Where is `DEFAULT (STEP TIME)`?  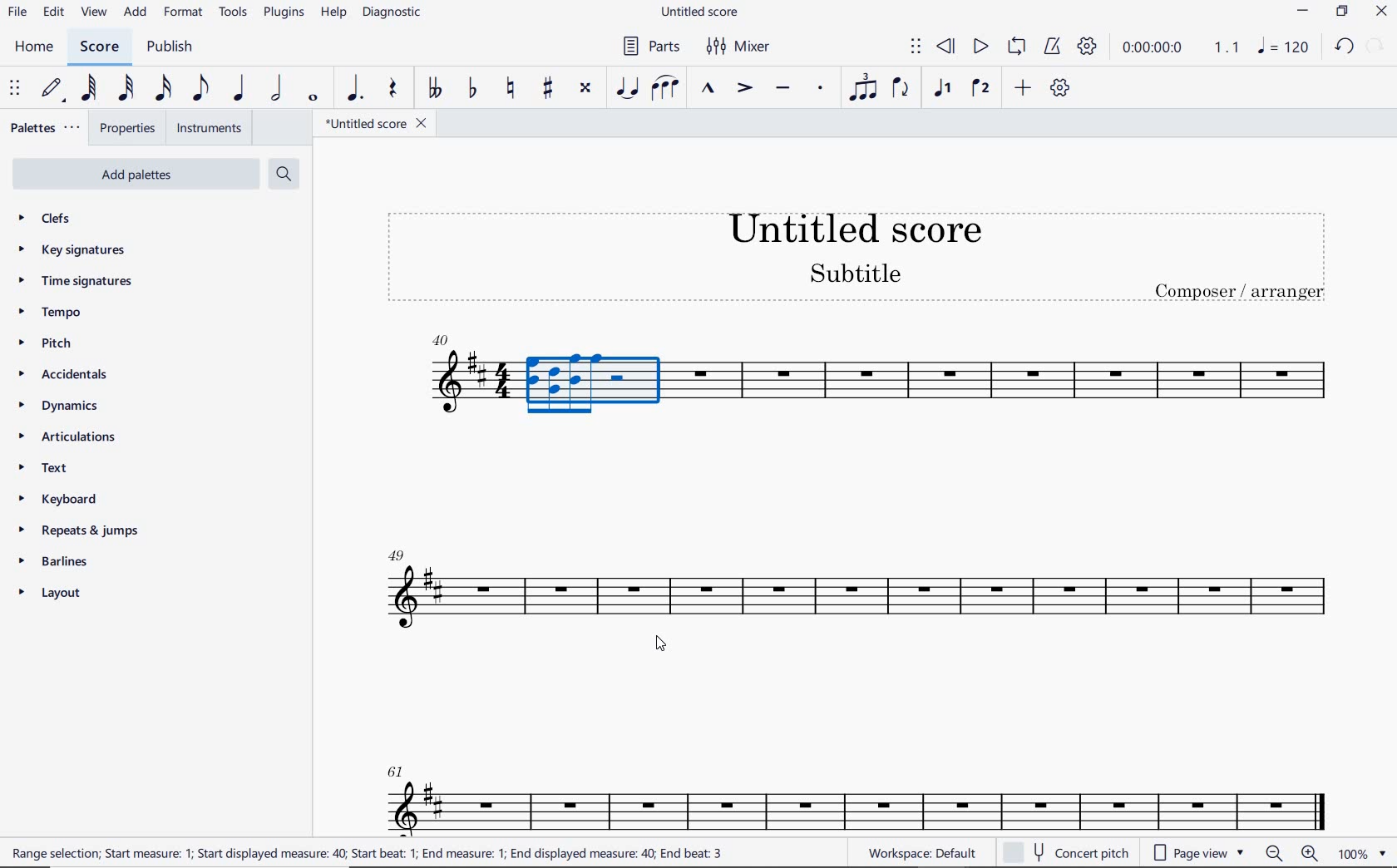
DEFAULT (STEP TIME) is located at coordinates (54, 89).